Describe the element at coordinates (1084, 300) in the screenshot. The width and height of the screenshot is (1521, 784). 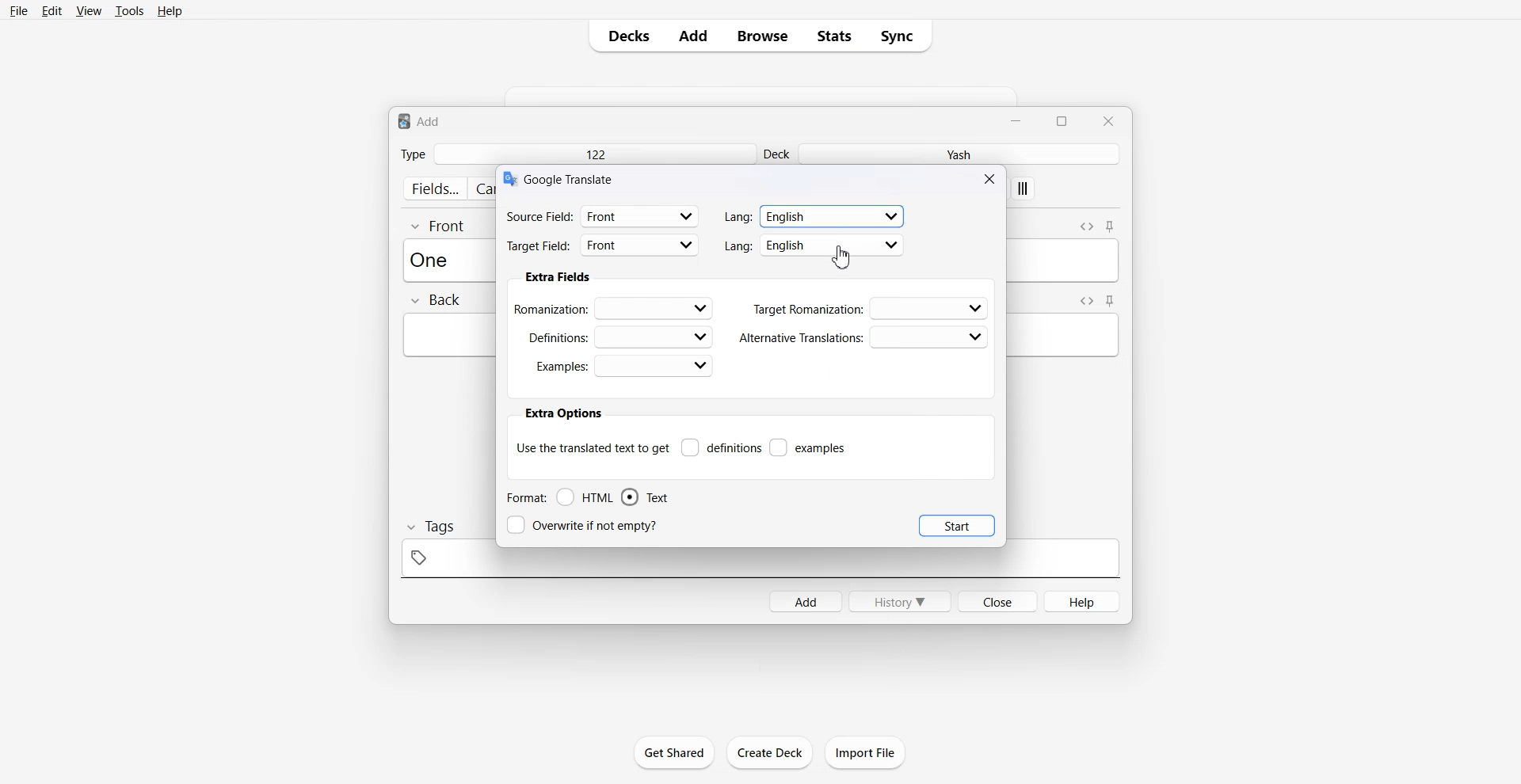
I see `Toggle HTML Editor` at that location.